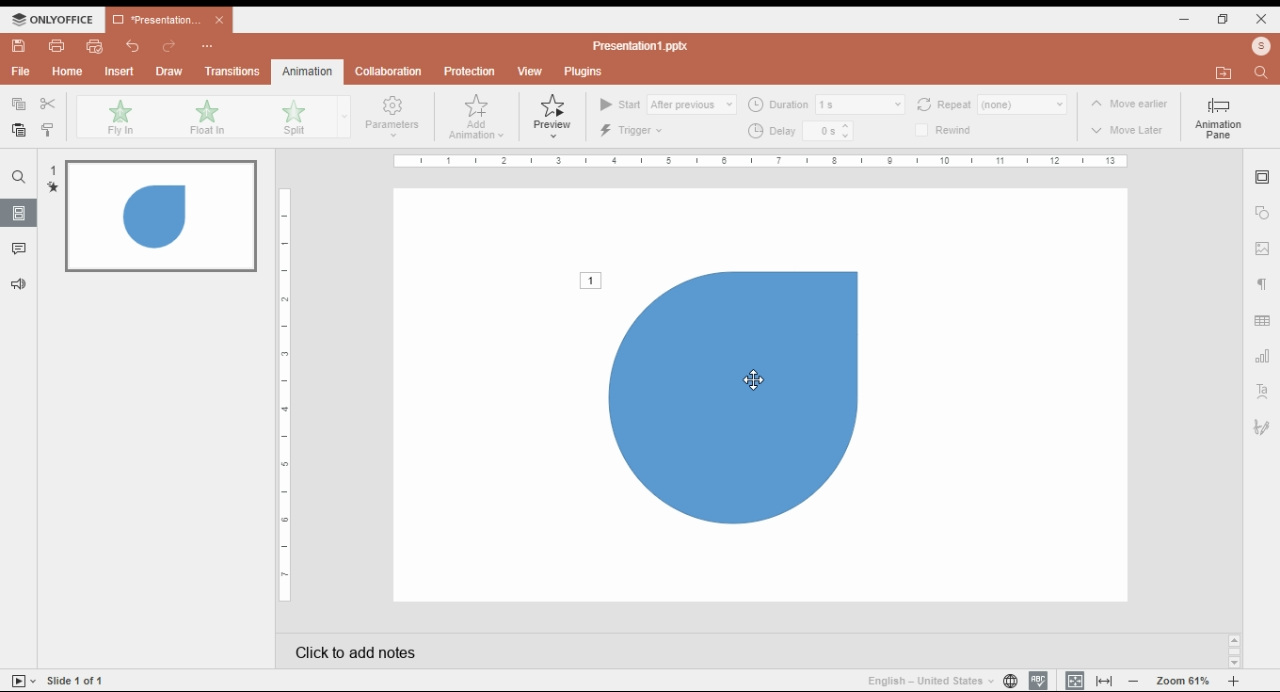 Image resolution: width=1280 pixels, height=692 pixels. What do you see at coordinates (206, 118) in the screenshot?
I see `float in` at bounding box center [206, 118].